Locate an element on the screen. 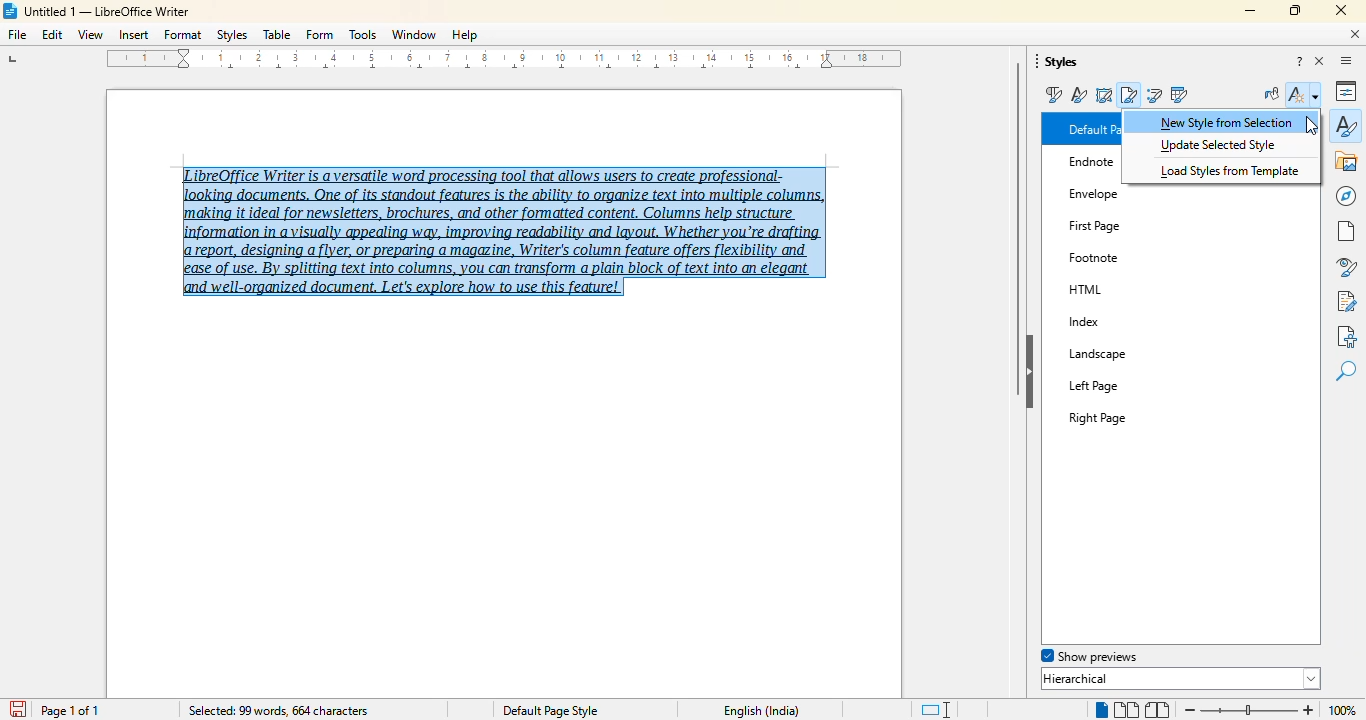 This screenshot has width=1366, height=720. Untitled 1 -- LibreOffice Writer is located at coordinates (110, 13).